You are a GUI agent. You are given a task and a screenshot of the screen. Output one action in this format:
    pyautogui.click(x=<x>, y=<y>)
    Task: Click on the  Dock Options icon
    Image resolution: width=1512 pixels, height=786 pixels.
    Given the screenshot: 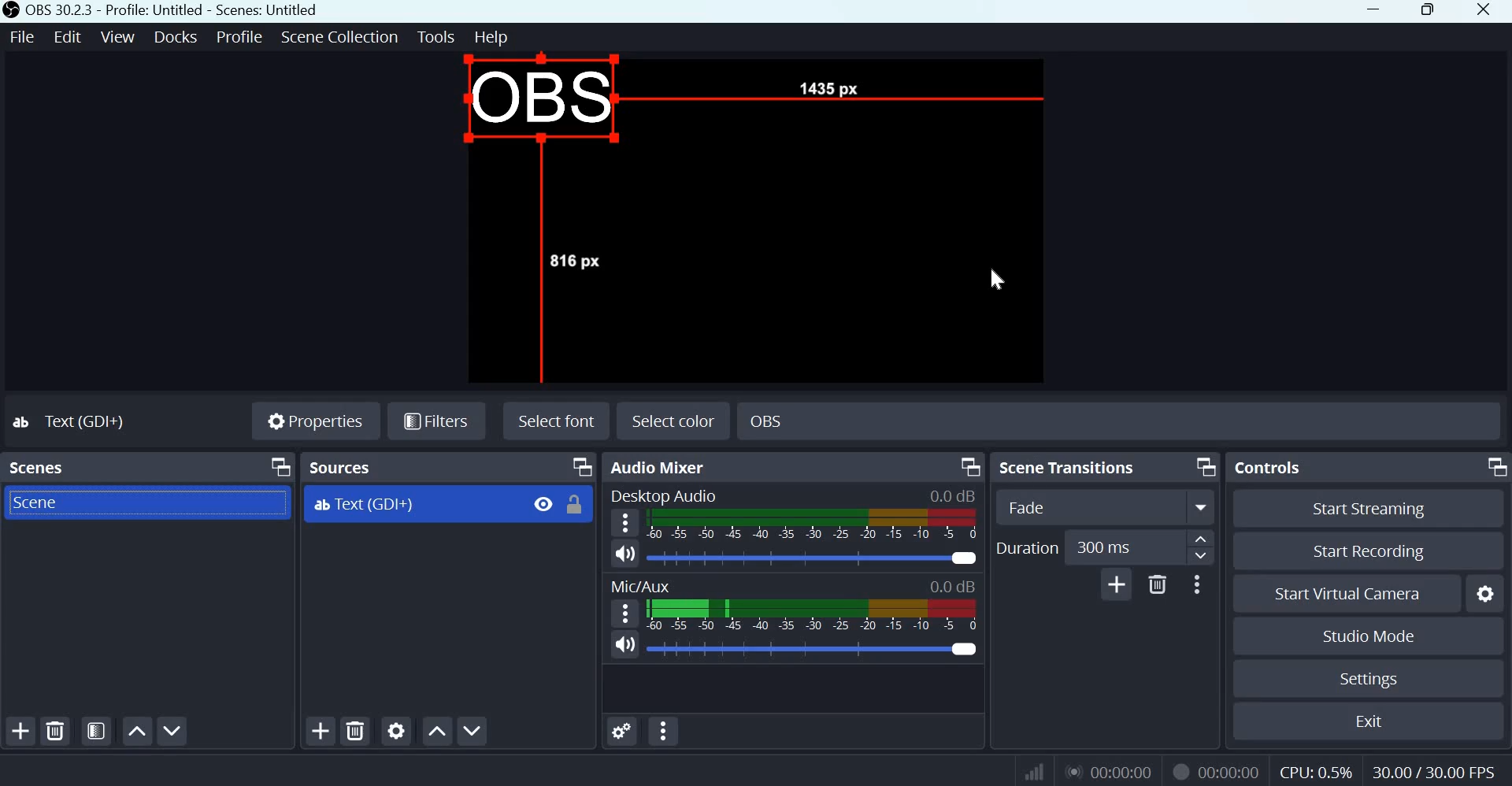 What is the action you would take?
    pyautogui.click(x=1204, y=465)
    